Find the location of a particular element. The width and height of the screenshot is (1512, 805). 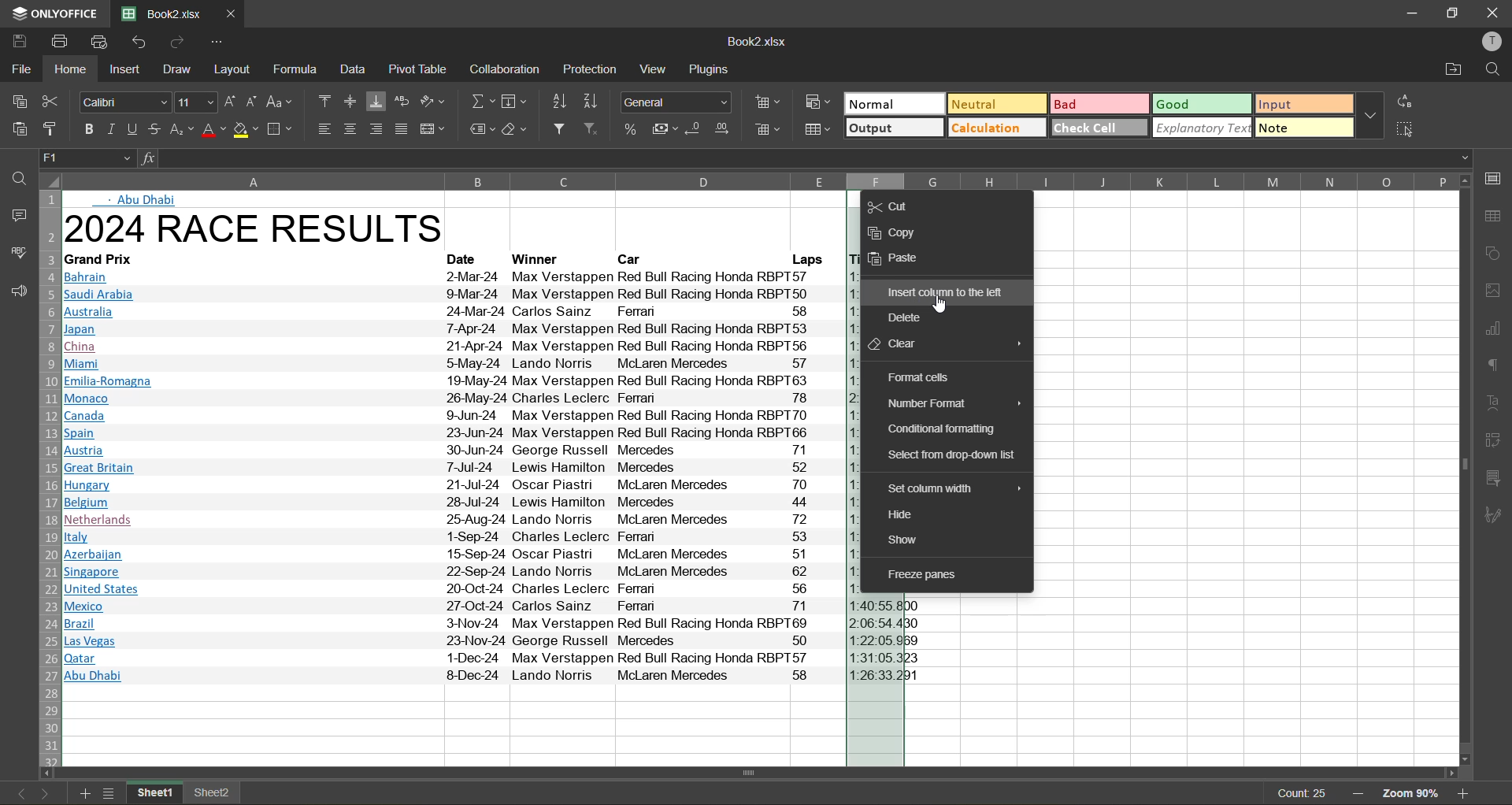

note is located at coordinates (1304, 128).